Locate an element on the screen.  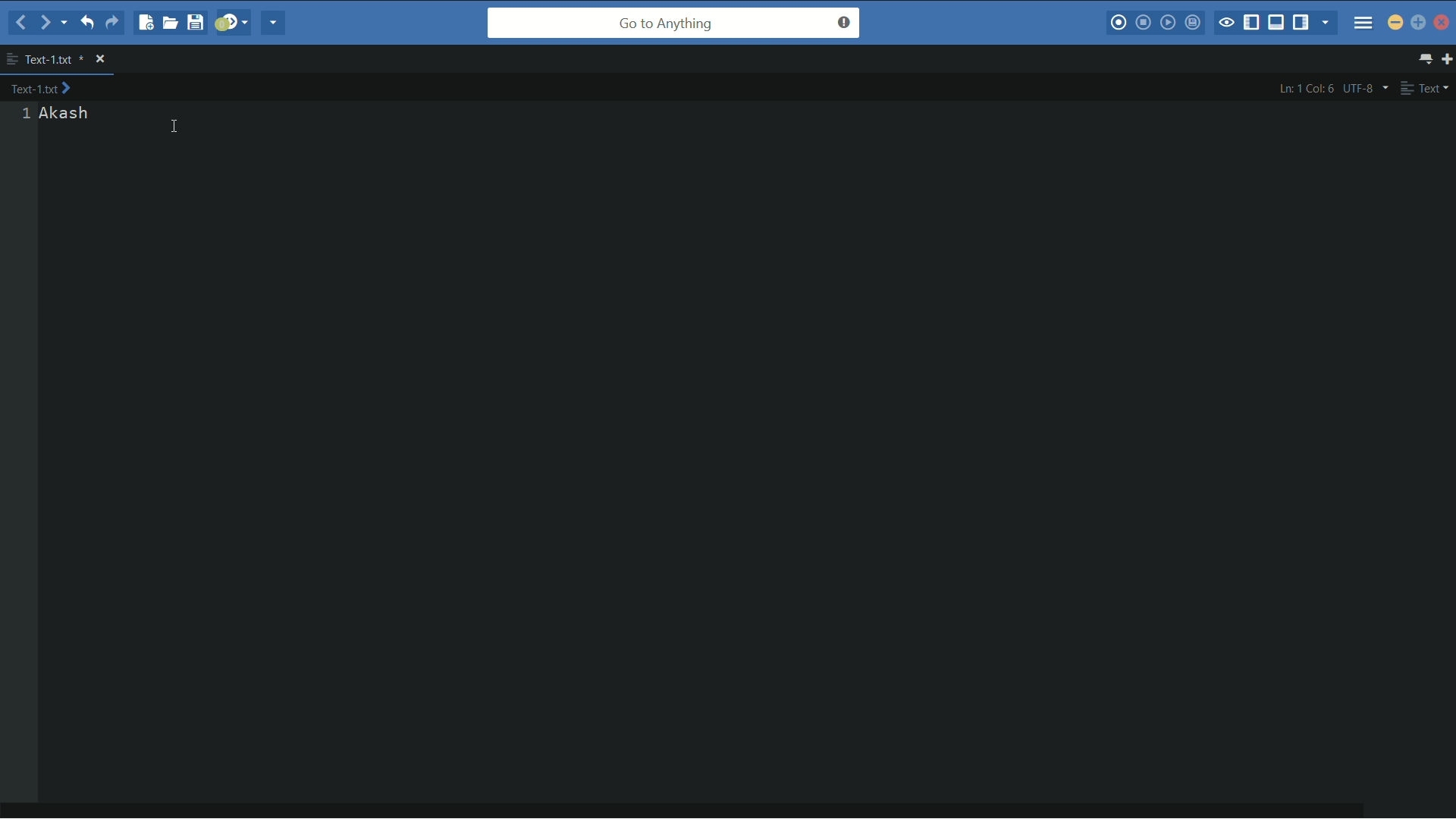
new tab is located at coordinates (1447, 58).